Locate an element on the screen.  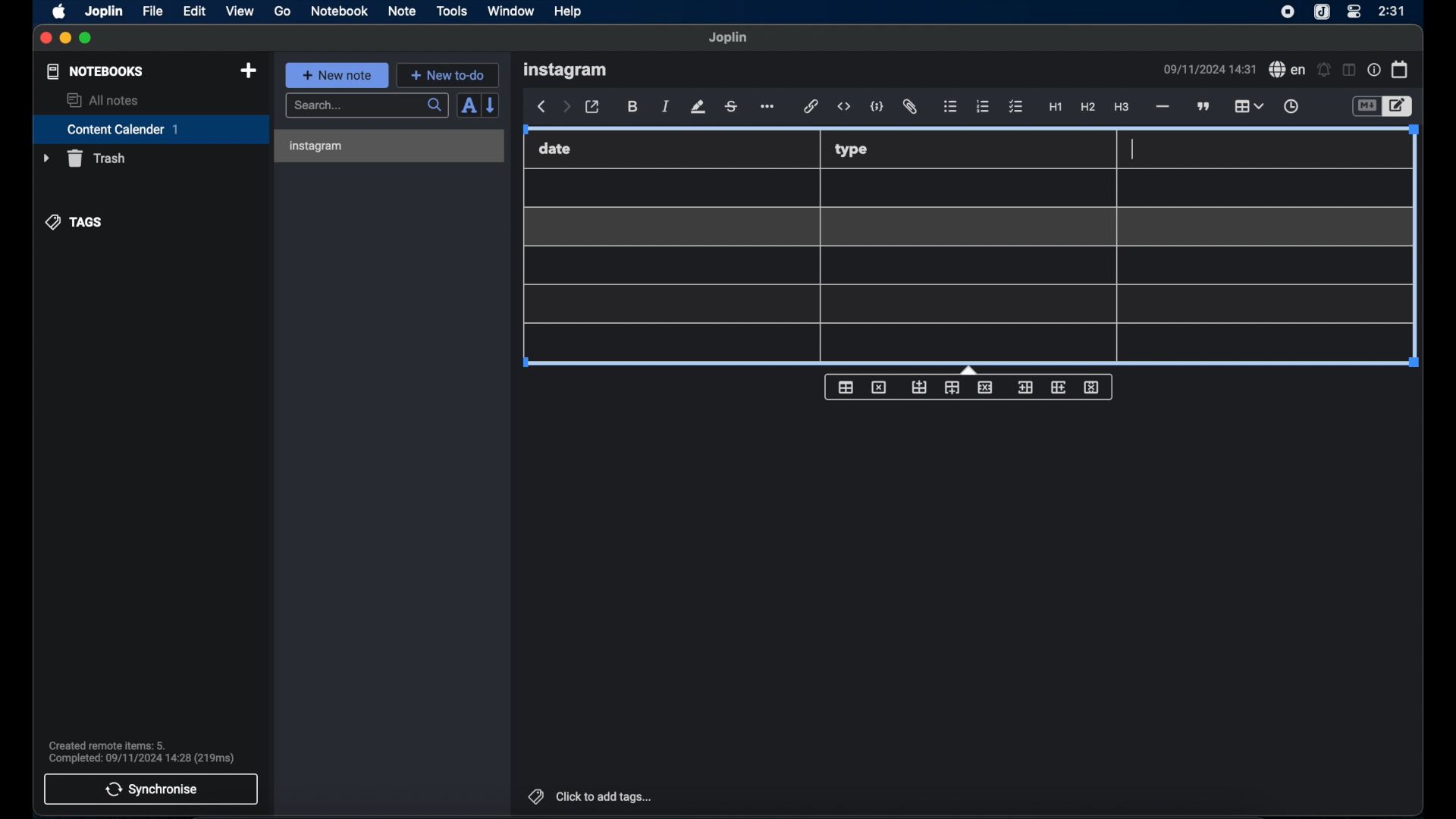
highlight is located at coordinates (698, 107).